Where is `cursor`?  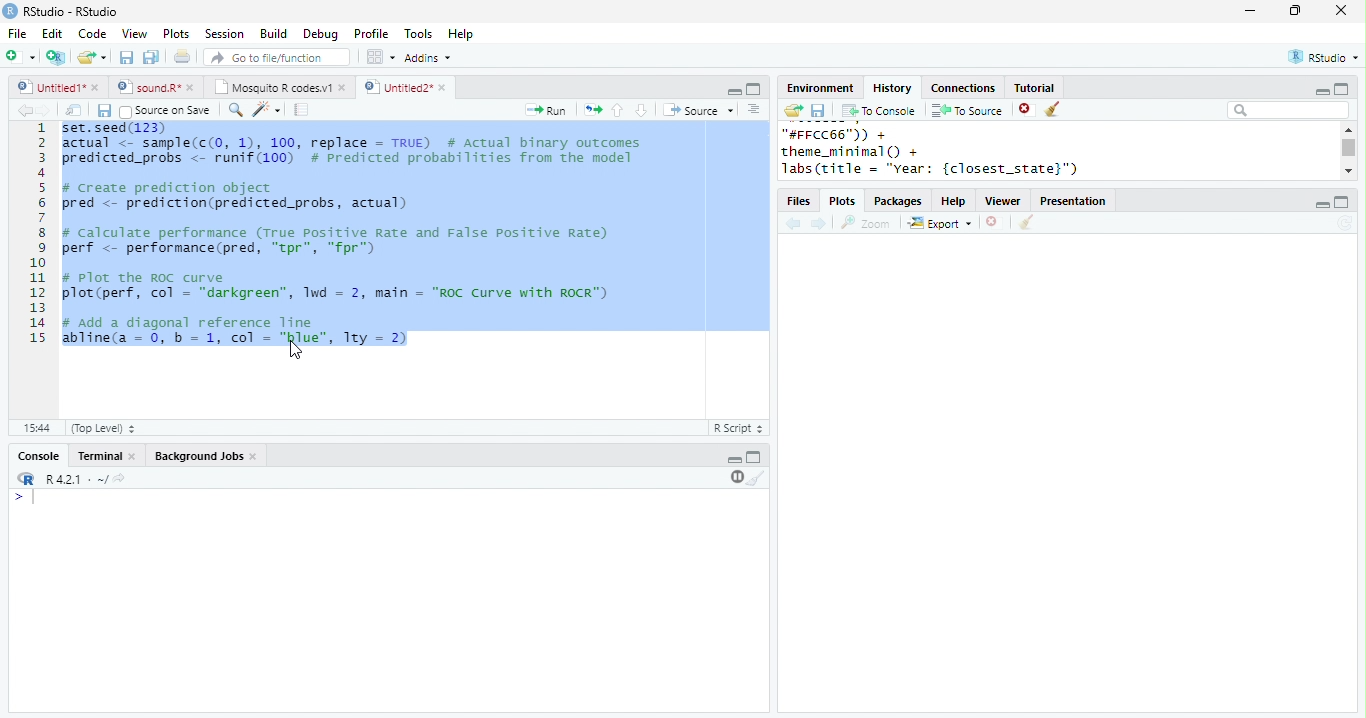
cursor is located at coordinates (295, 351).